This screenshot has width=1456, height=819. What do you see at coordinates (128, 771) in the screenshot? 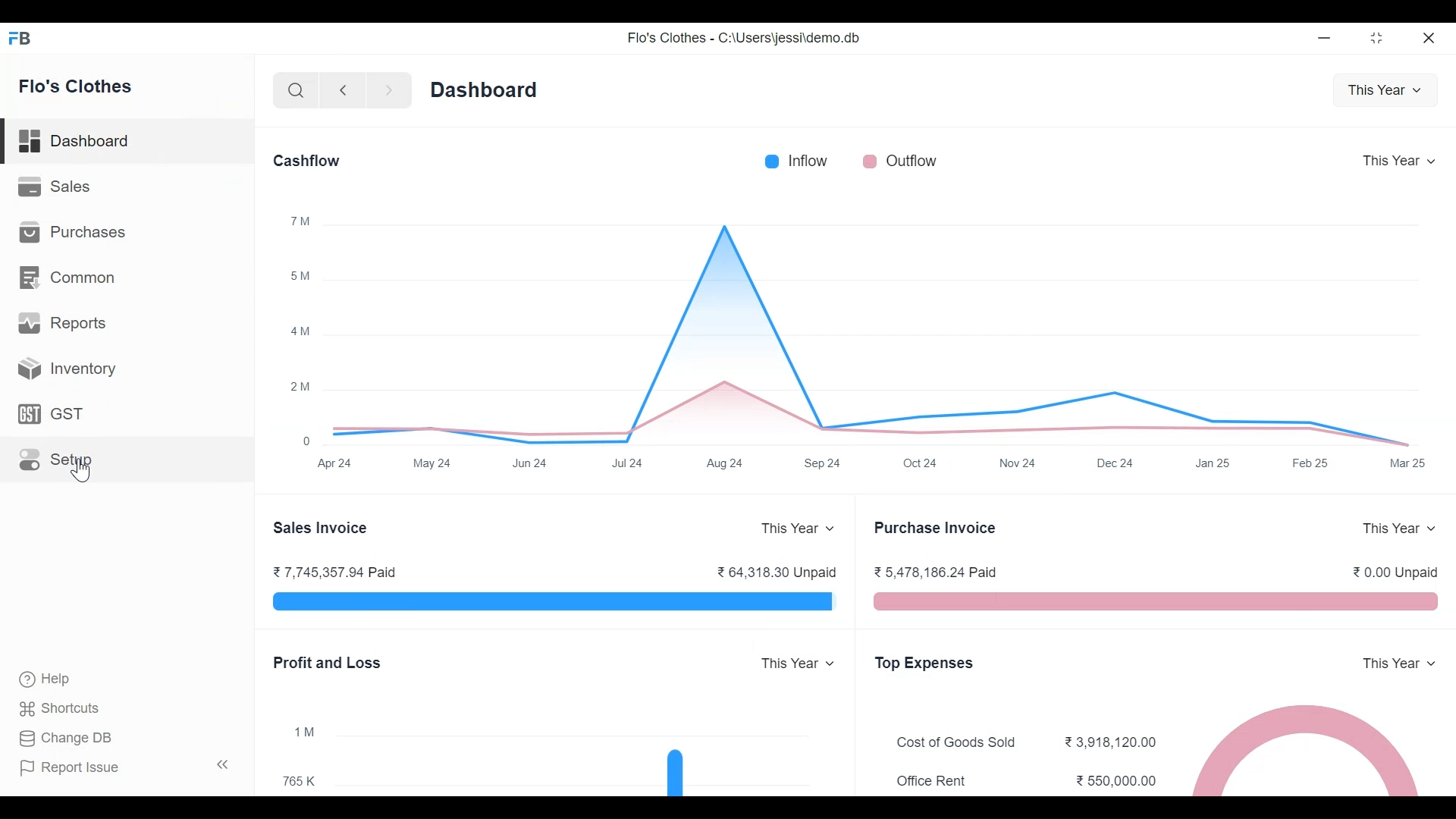
I see `Report Issue «` at bounding box center [128, 771].